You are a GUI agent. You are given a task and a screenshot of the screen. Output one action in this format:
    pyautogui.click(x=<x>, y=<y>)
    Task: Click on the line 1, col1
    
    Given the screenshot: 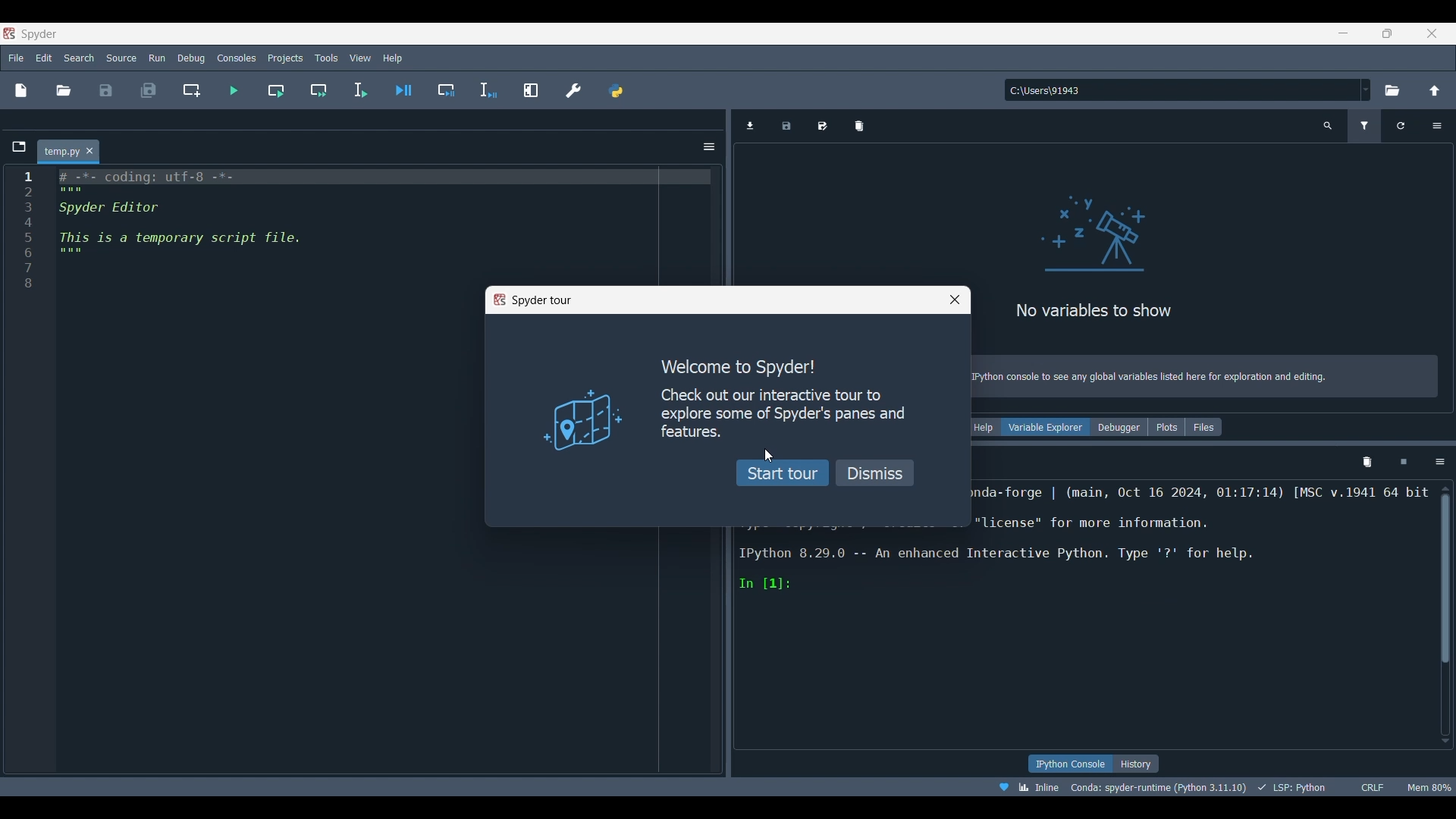 What is the action you would take?
    pyautogui.click(x=1264, y=787)
    